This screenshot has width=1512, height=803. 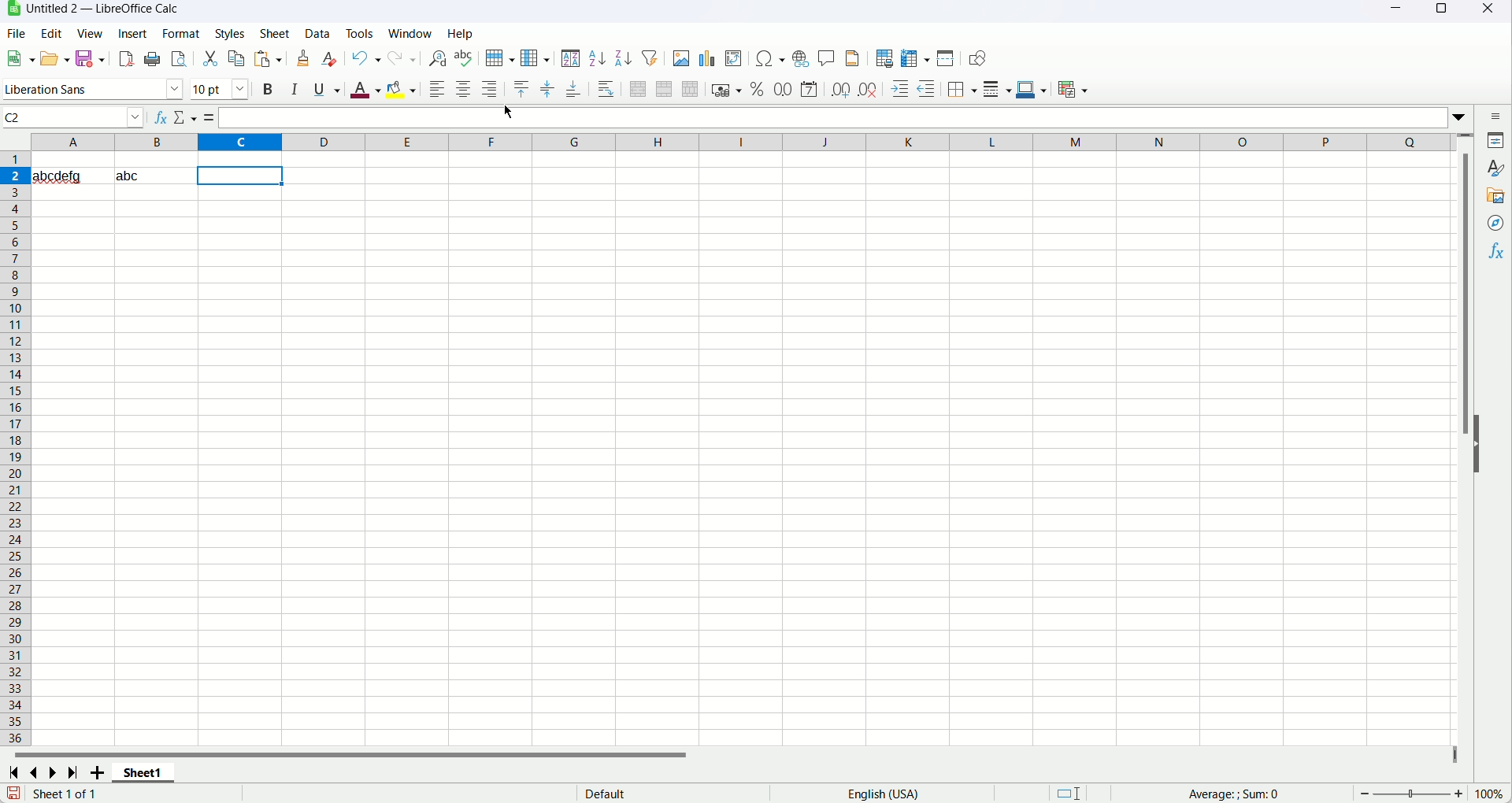 I want to click on new, so click(x=22, y=57).